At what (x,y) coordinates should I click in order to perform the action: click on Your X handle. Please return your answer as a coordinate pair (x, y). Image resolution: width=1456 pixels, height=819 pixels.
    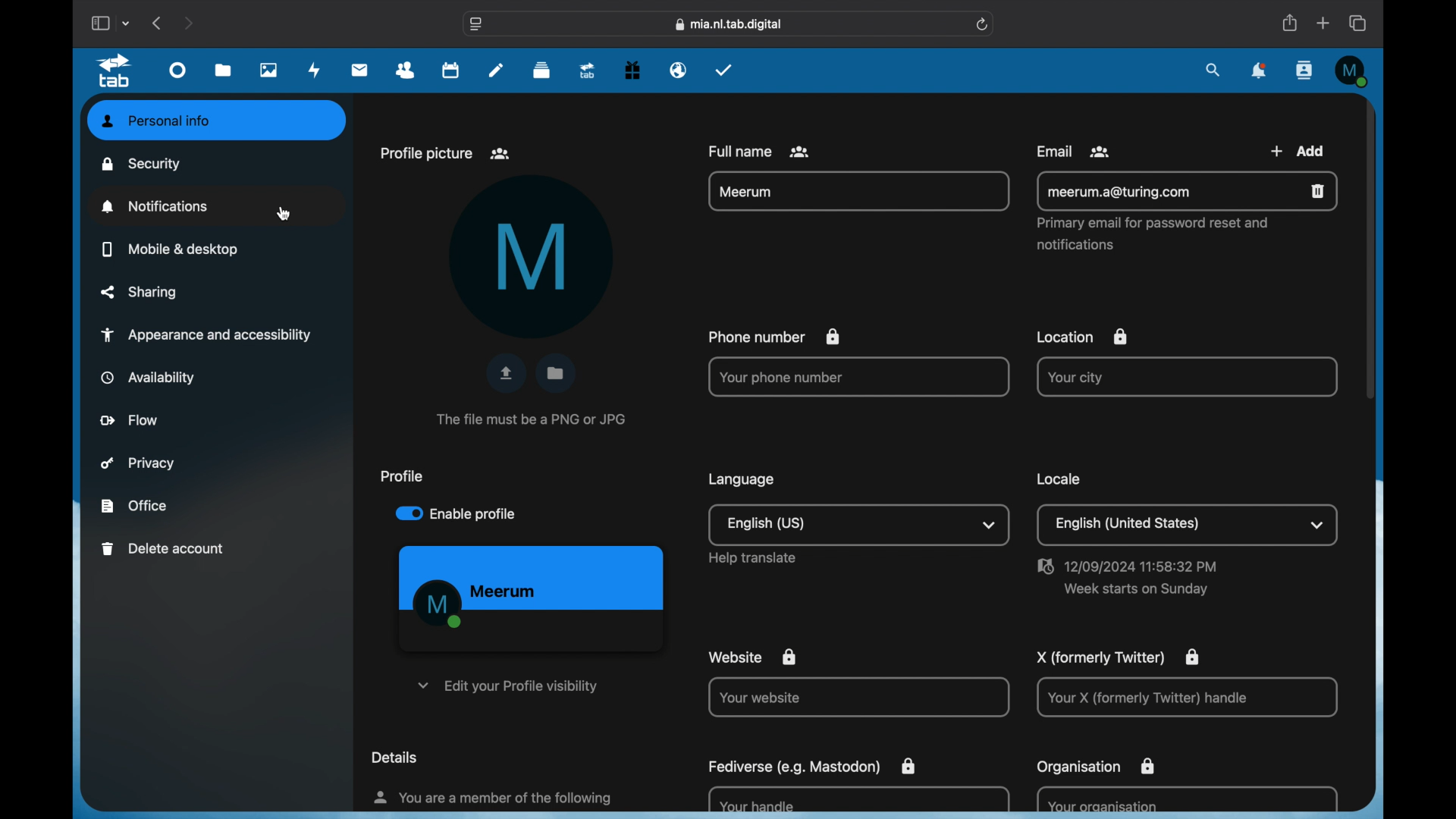
    Looking at the image, I should click on (1147, 698).